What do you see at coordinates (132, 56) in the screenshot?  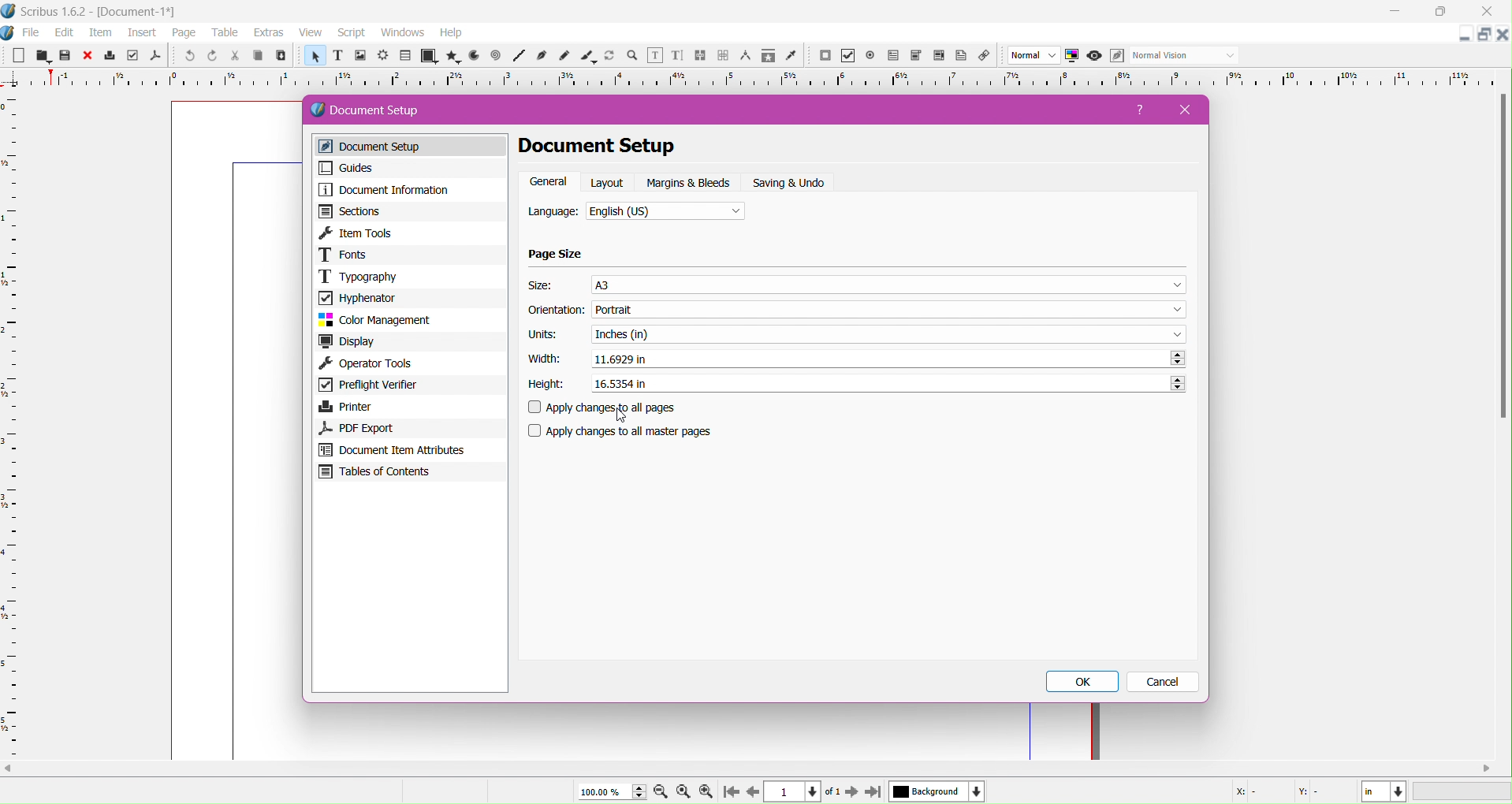 I see `preflight highlighter` at bounding box center [132, 56].